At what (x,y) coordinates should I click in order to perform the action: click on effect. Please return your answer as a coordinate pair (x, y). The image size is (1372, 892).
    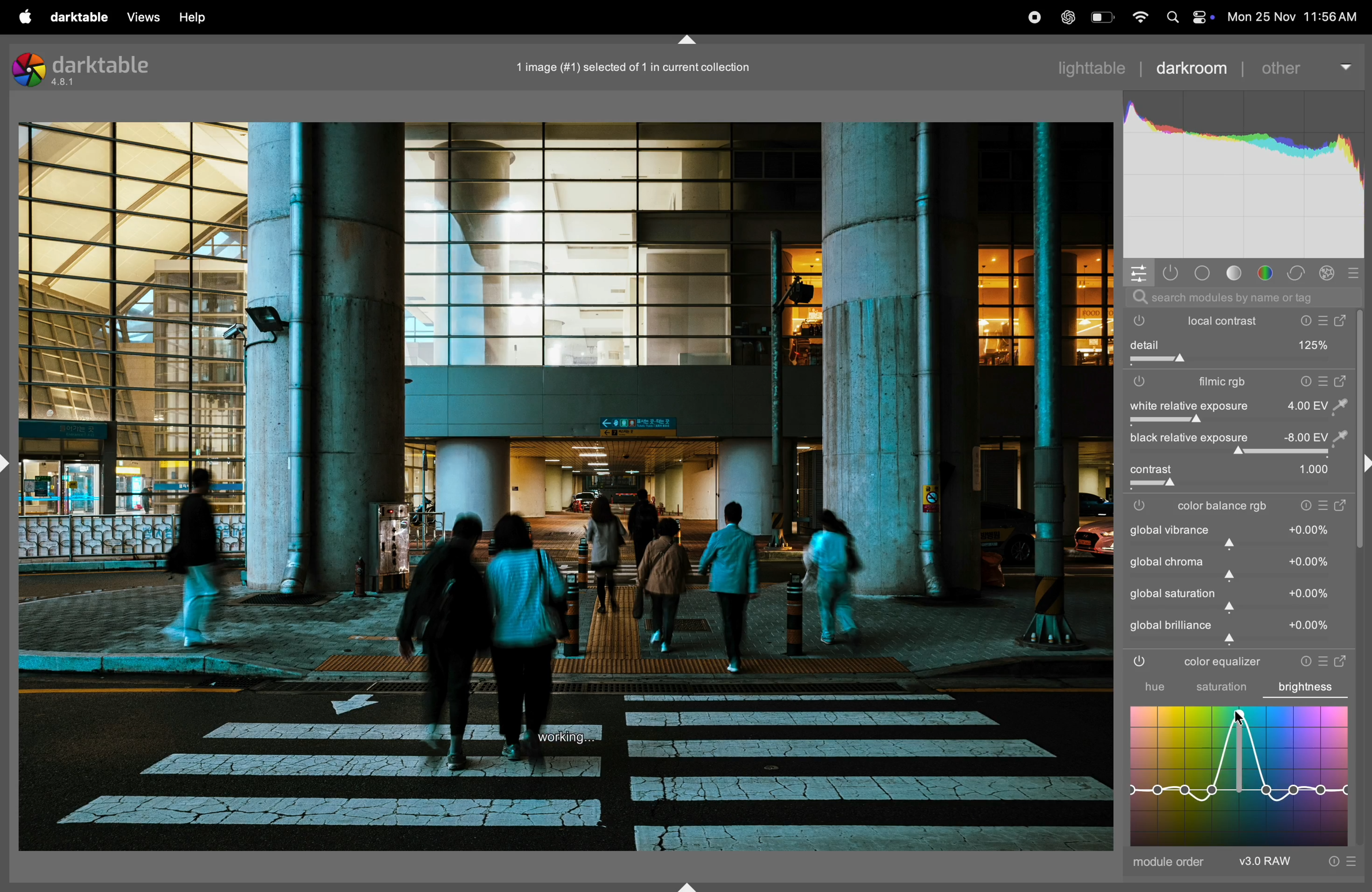
    Looking at the image, I should click on (1327, 272).